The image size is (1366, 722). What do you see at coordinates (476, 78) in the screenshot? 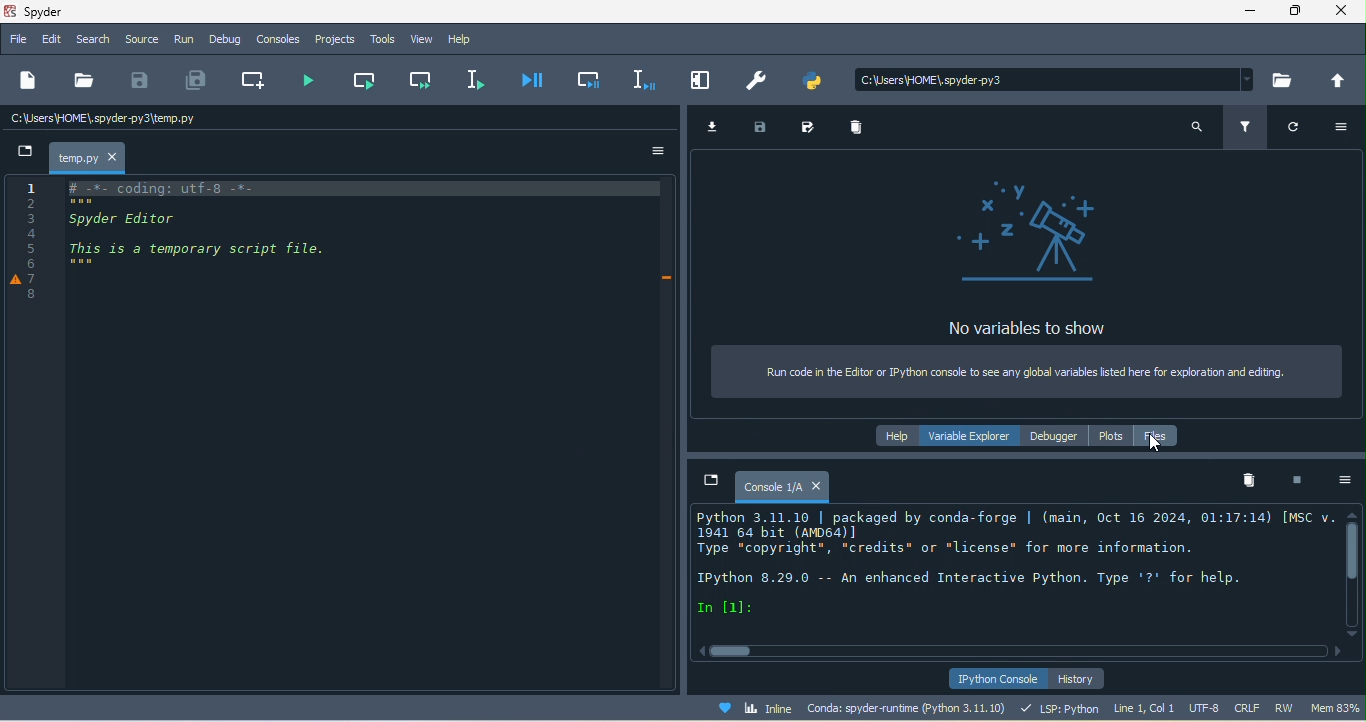
I see `run selection` at bounding box center [476, 78].